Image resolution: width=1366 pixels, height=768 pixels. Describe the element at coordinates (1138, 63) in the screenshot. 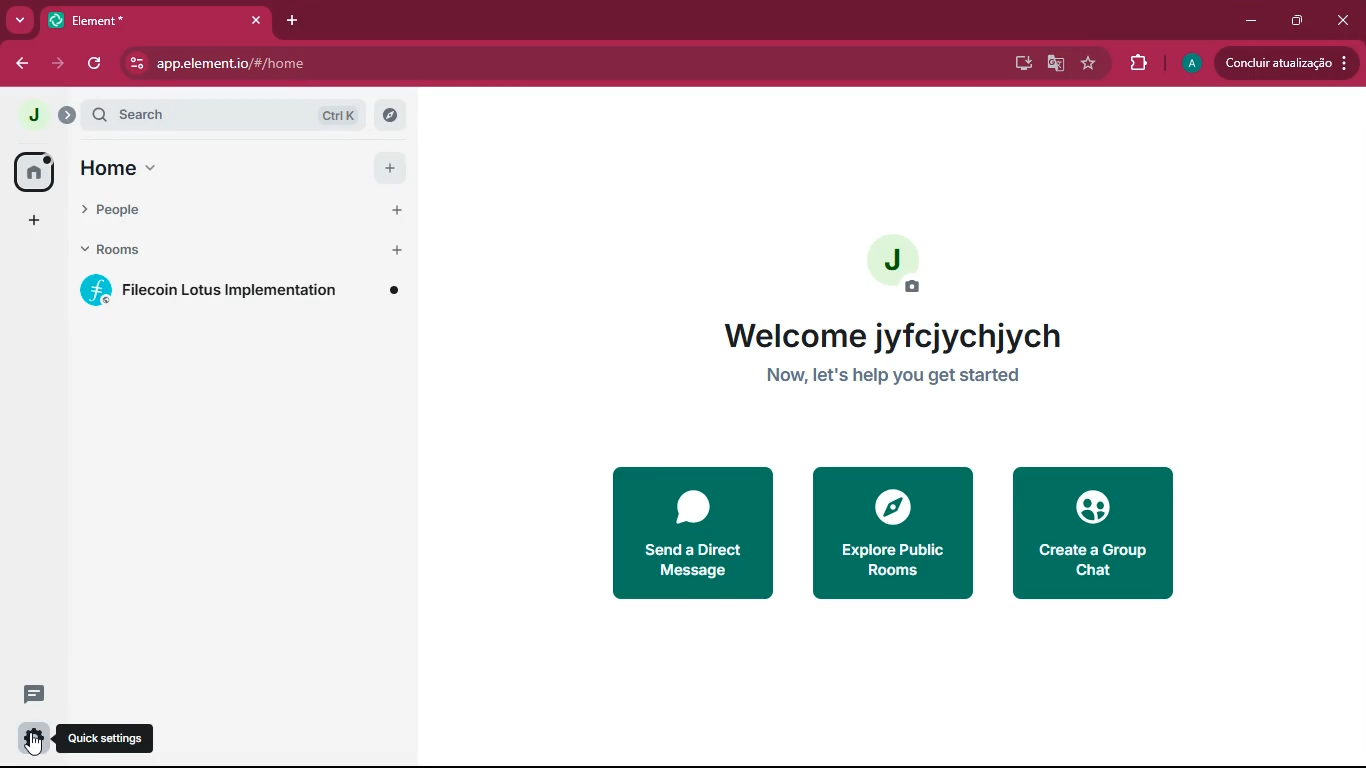

I see `extensions` at that location.